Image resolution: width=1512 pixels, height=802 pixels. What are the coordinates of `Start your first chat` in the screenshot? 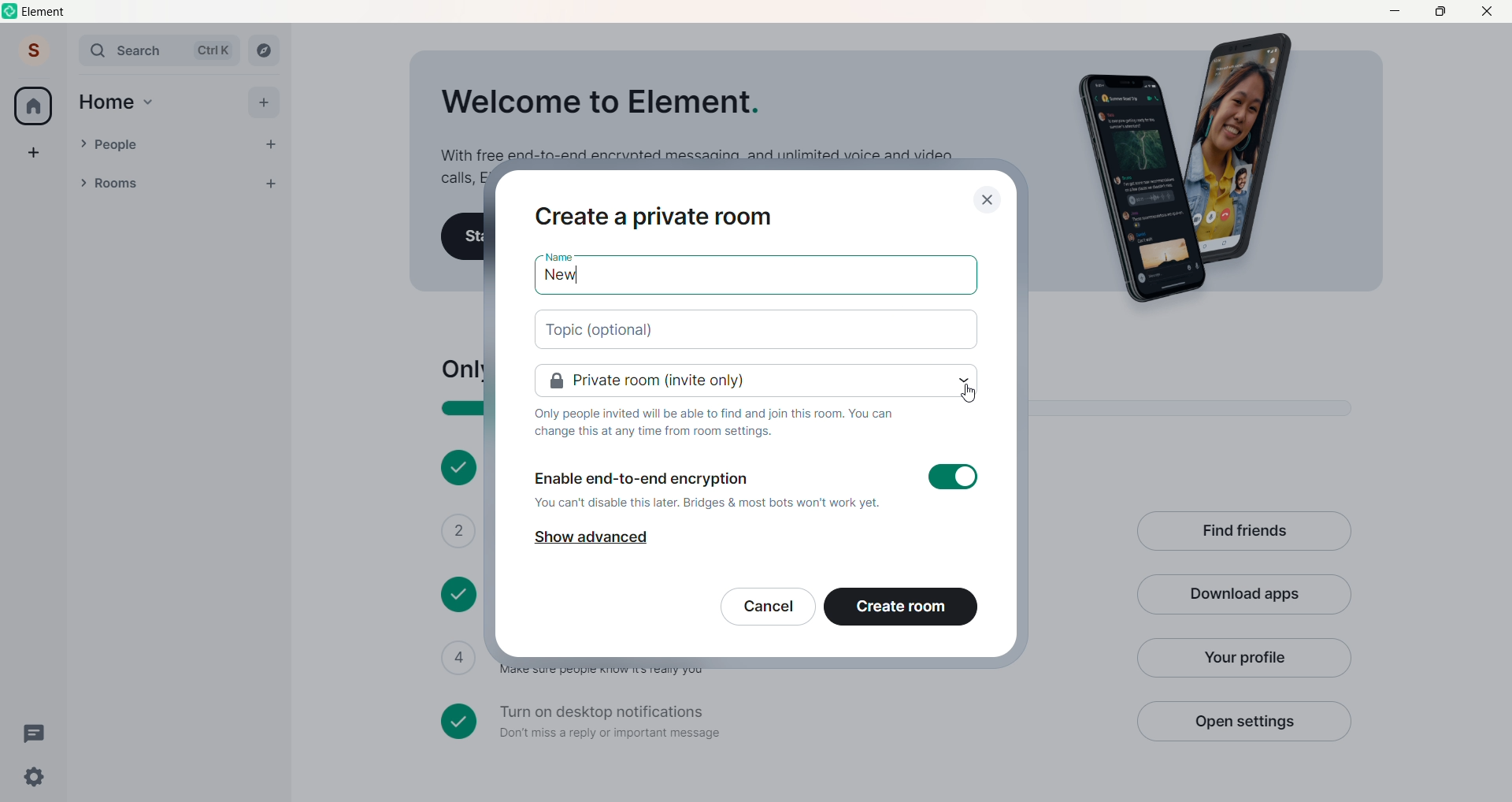 It's located at (463, 237).